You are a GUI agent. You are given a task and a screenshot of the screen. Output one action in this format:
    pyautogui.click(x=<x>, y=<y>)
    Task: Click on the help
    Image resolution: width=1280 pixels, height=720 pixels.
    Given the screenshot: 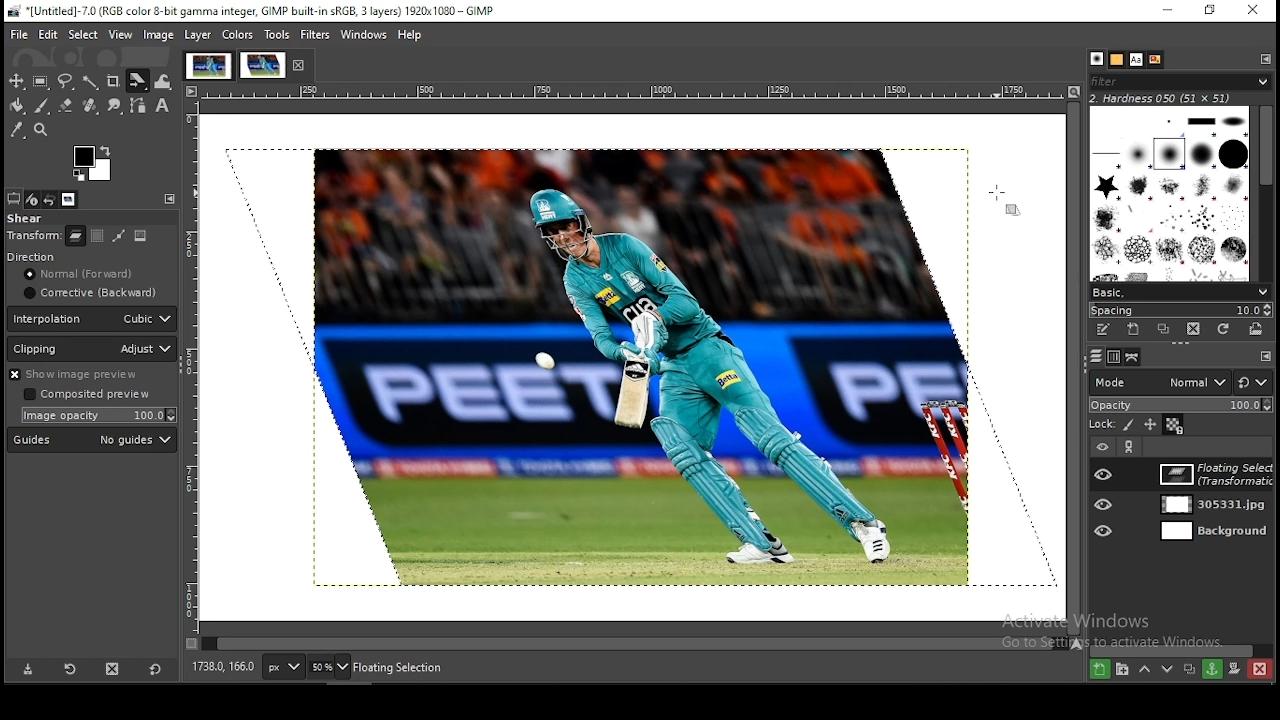 What is the action you would take?
    pyautogui.click(x=411, y=35)
    